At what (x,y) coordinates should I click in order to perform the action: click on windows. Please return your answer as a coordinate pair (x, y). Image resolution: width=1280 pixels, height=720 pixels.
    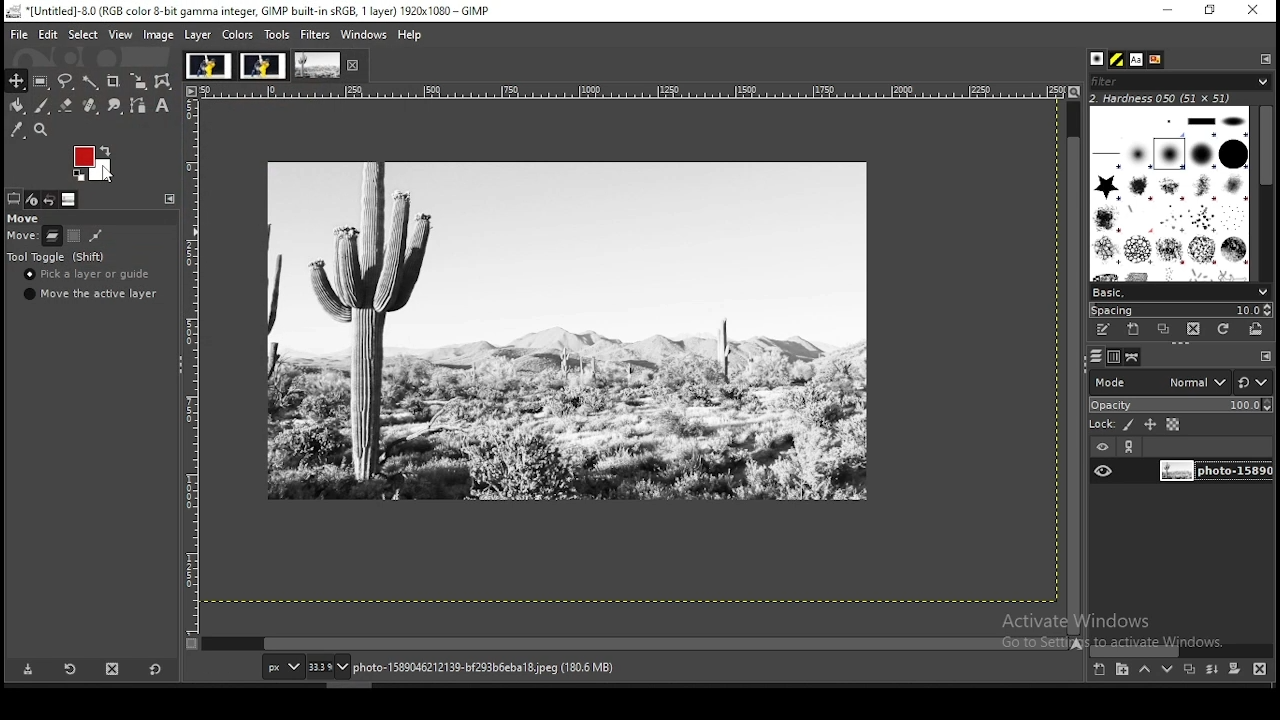
    Looking at the image, I should click on (362, 34).